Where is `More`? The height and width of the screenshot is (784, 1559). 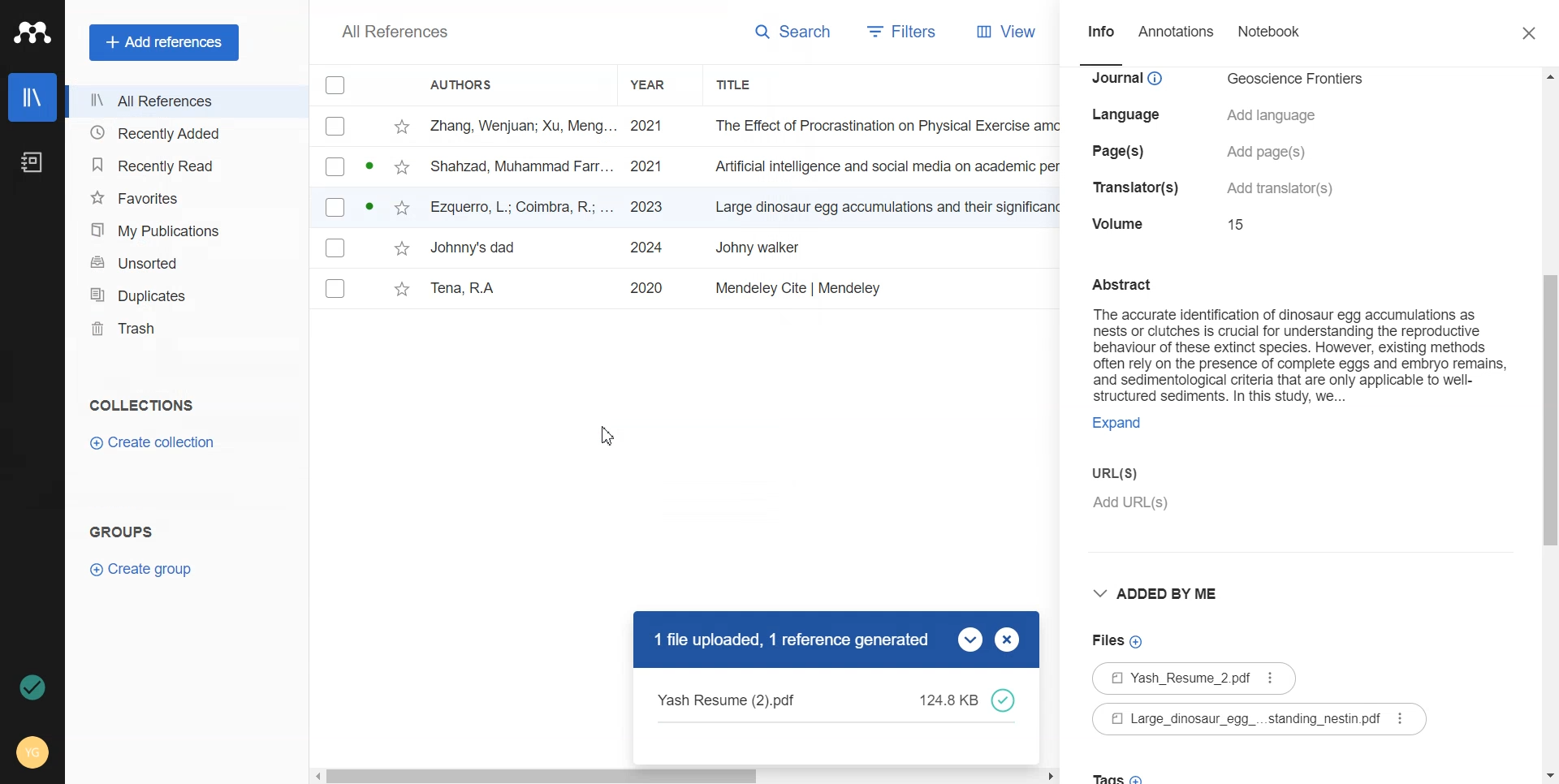 More is located at coordinates (1272, 677).